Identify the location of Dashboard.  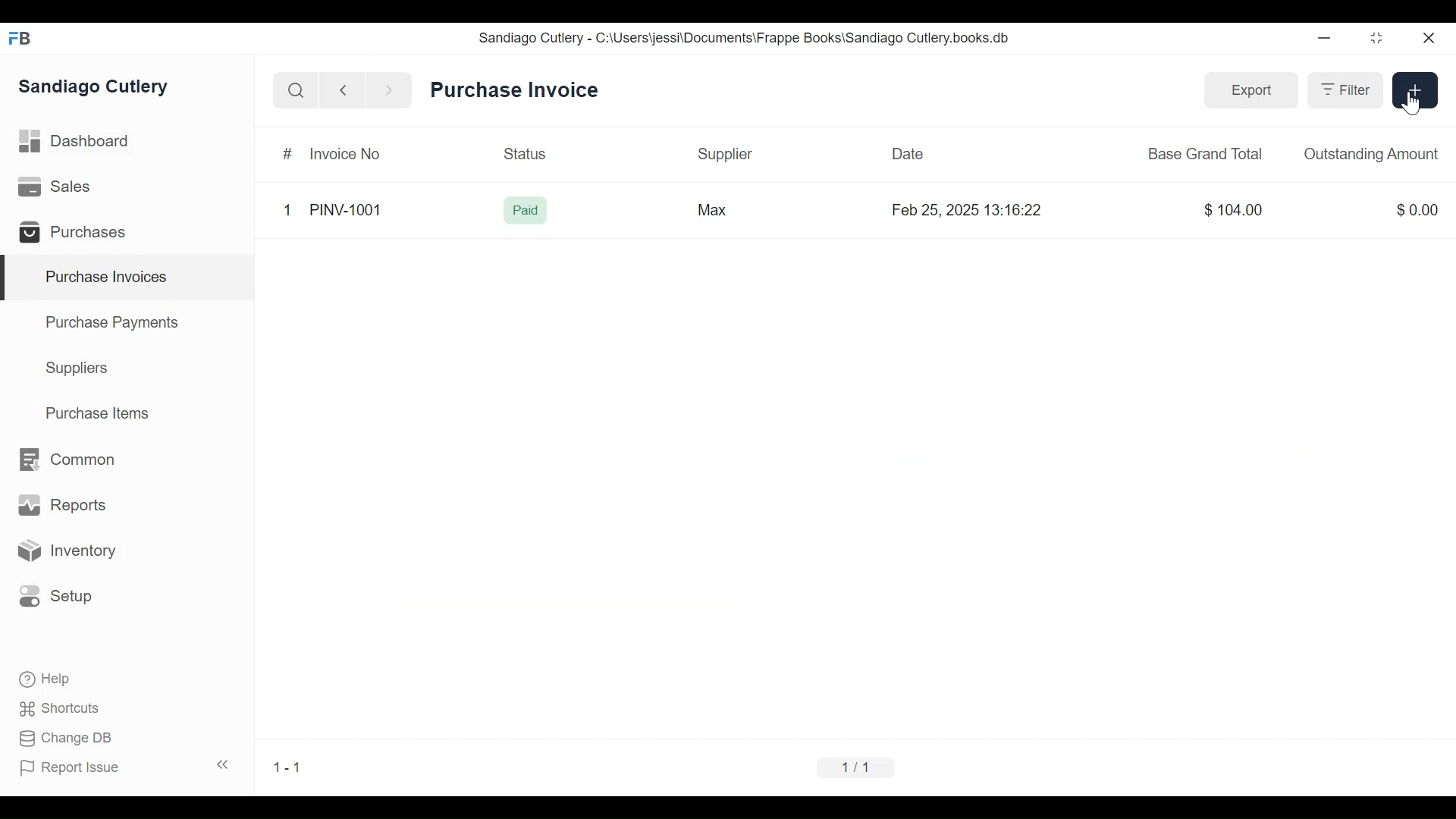
(74, 141).